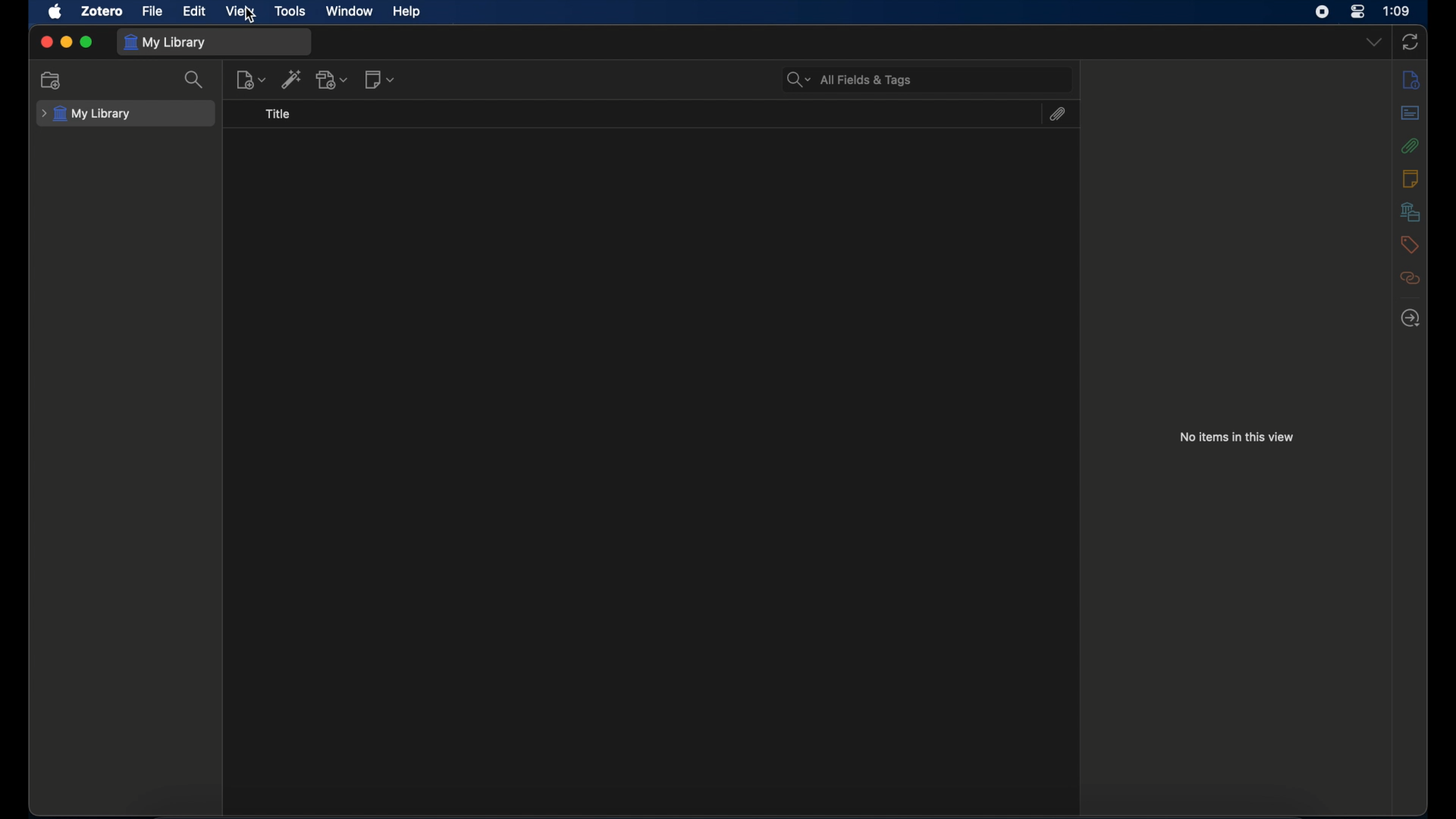 Image resolution: width=1456 pixels, height=819 pixels. I want to click on new notes, so click(379, 80).